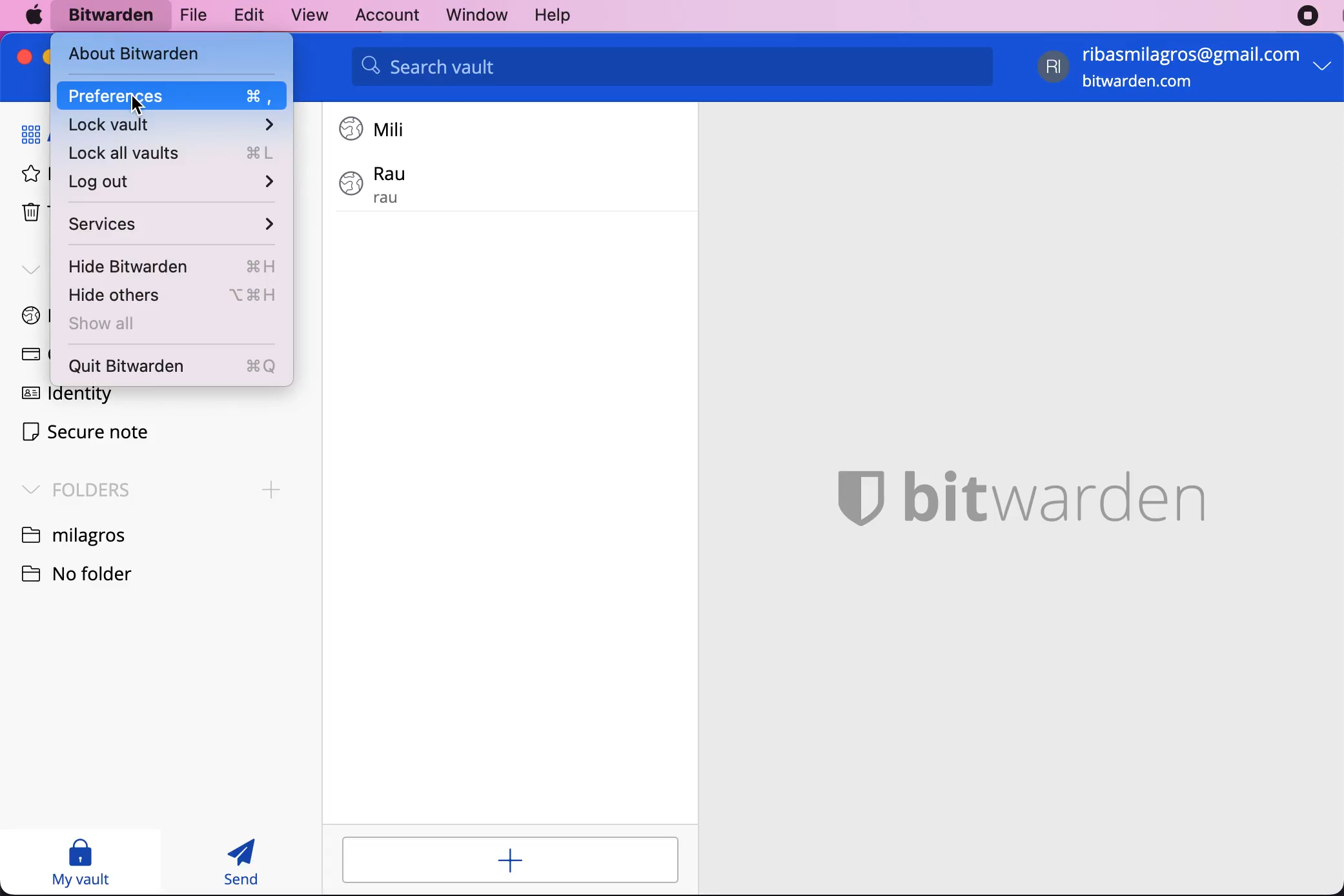 Image resolution: width=1344 pixels, height=896 pixels. Describe the element at coordinates (272, 490) in the screenshot. I see `Add folder` at that location.